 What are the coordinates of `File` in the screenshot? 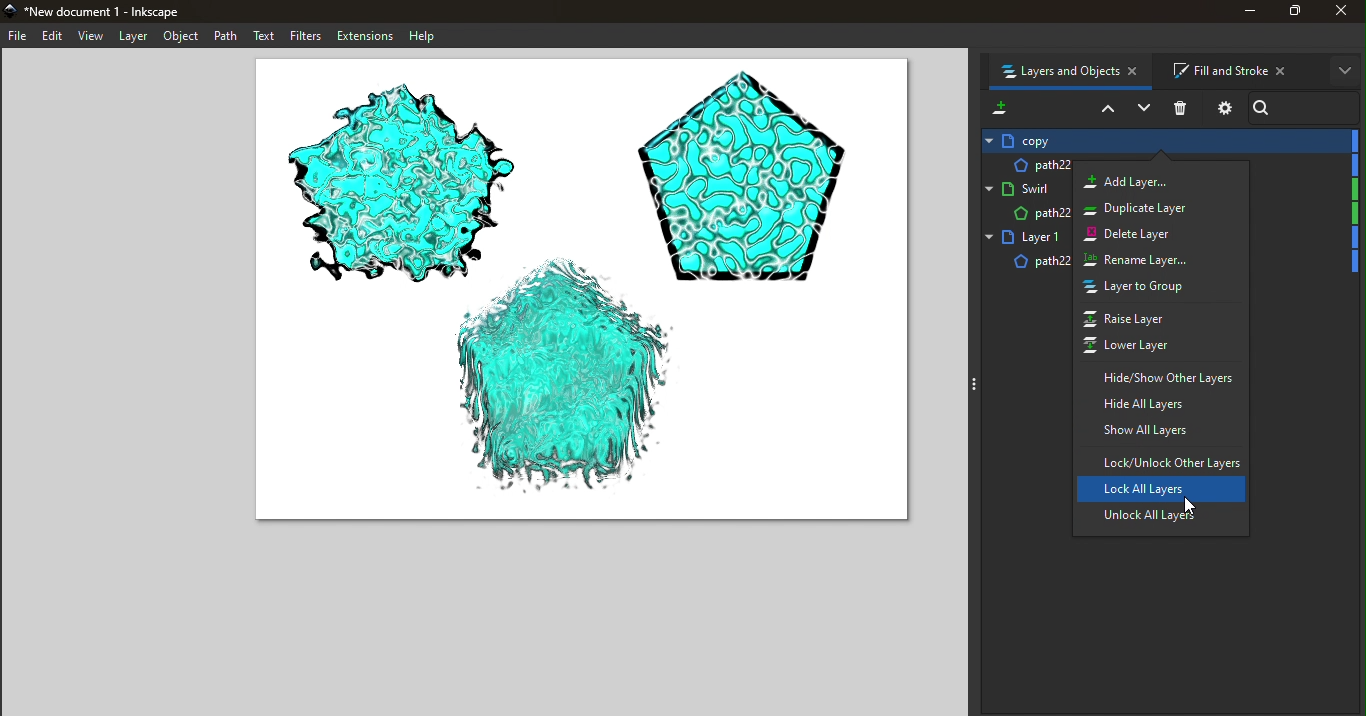 It's located at (20, 35).